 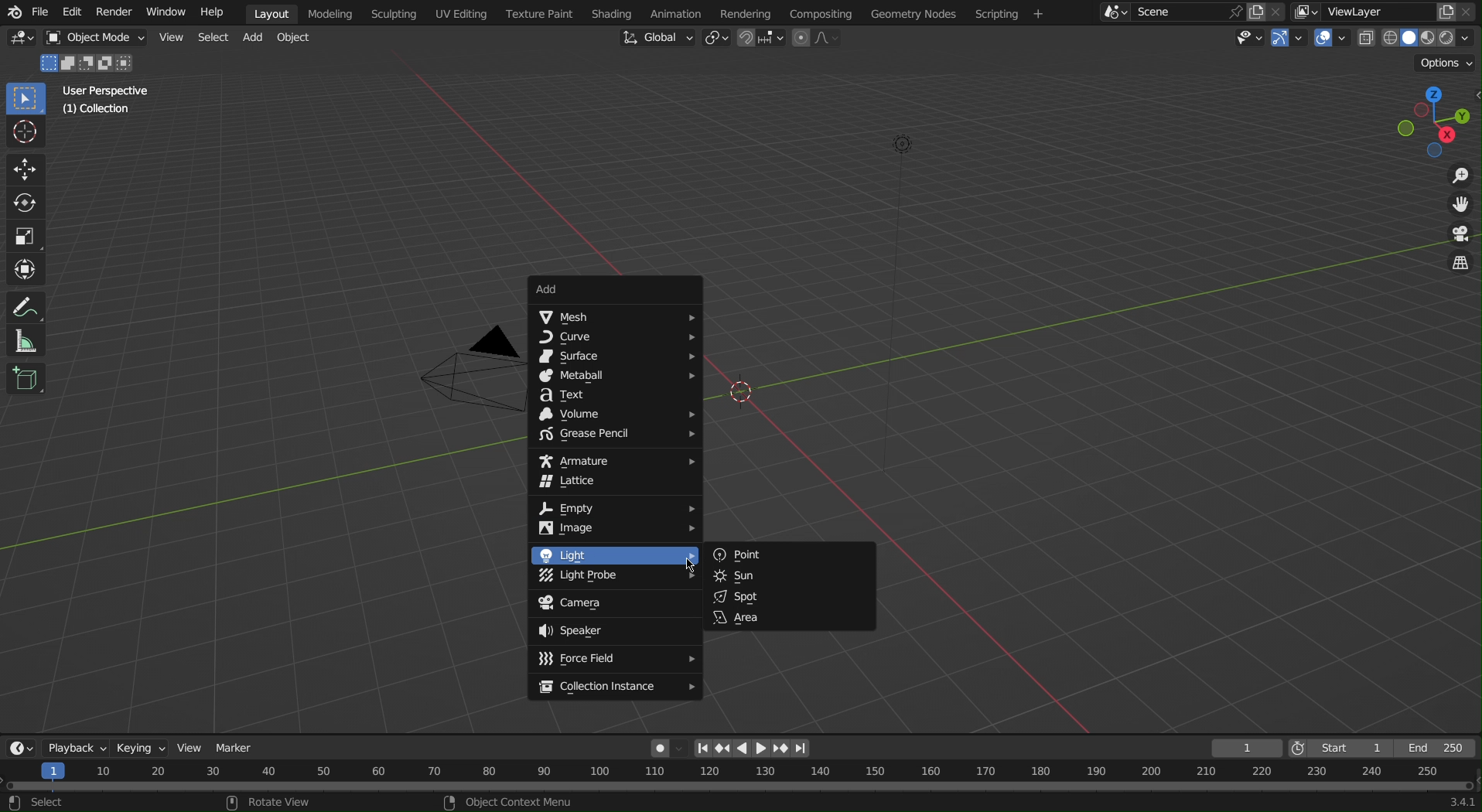 I want to click on Rendering, so click(x=744, y=12).